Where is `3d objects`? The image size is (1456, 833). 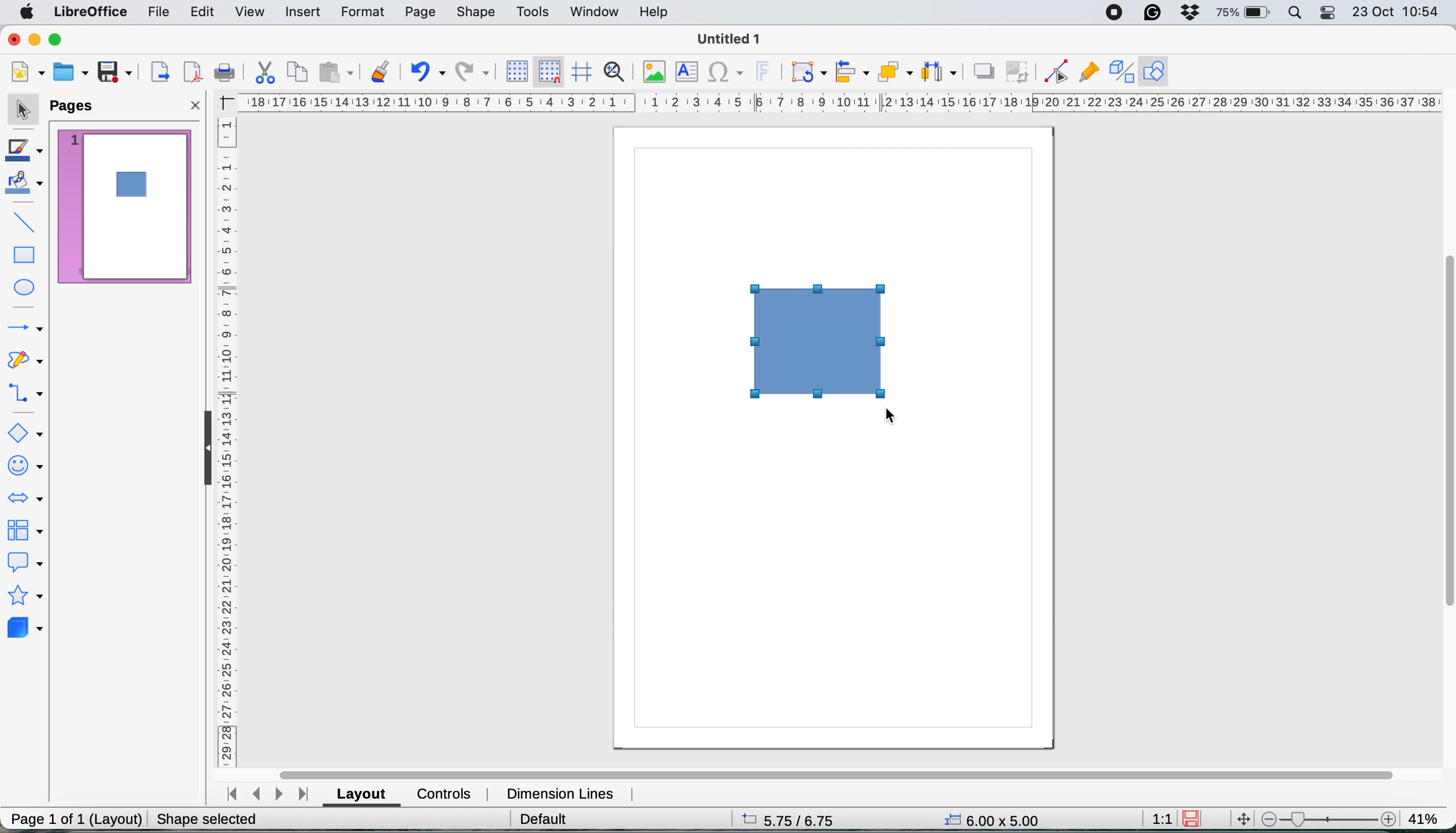 3d objects is located at coordinates (26, 630).